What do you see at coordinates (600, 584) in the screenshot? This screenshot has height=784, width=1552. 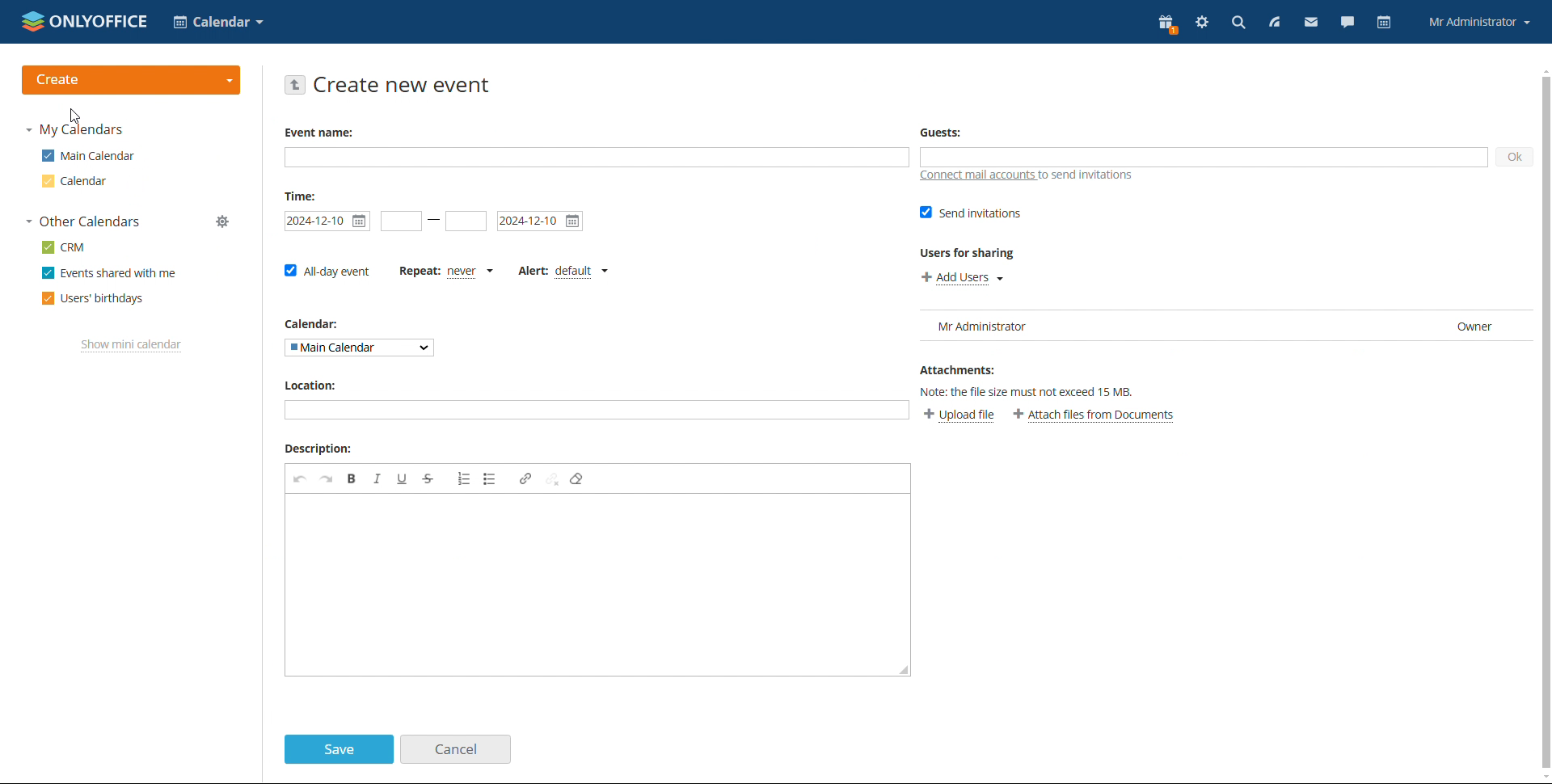 I see `` at bounding box center [600, 584].